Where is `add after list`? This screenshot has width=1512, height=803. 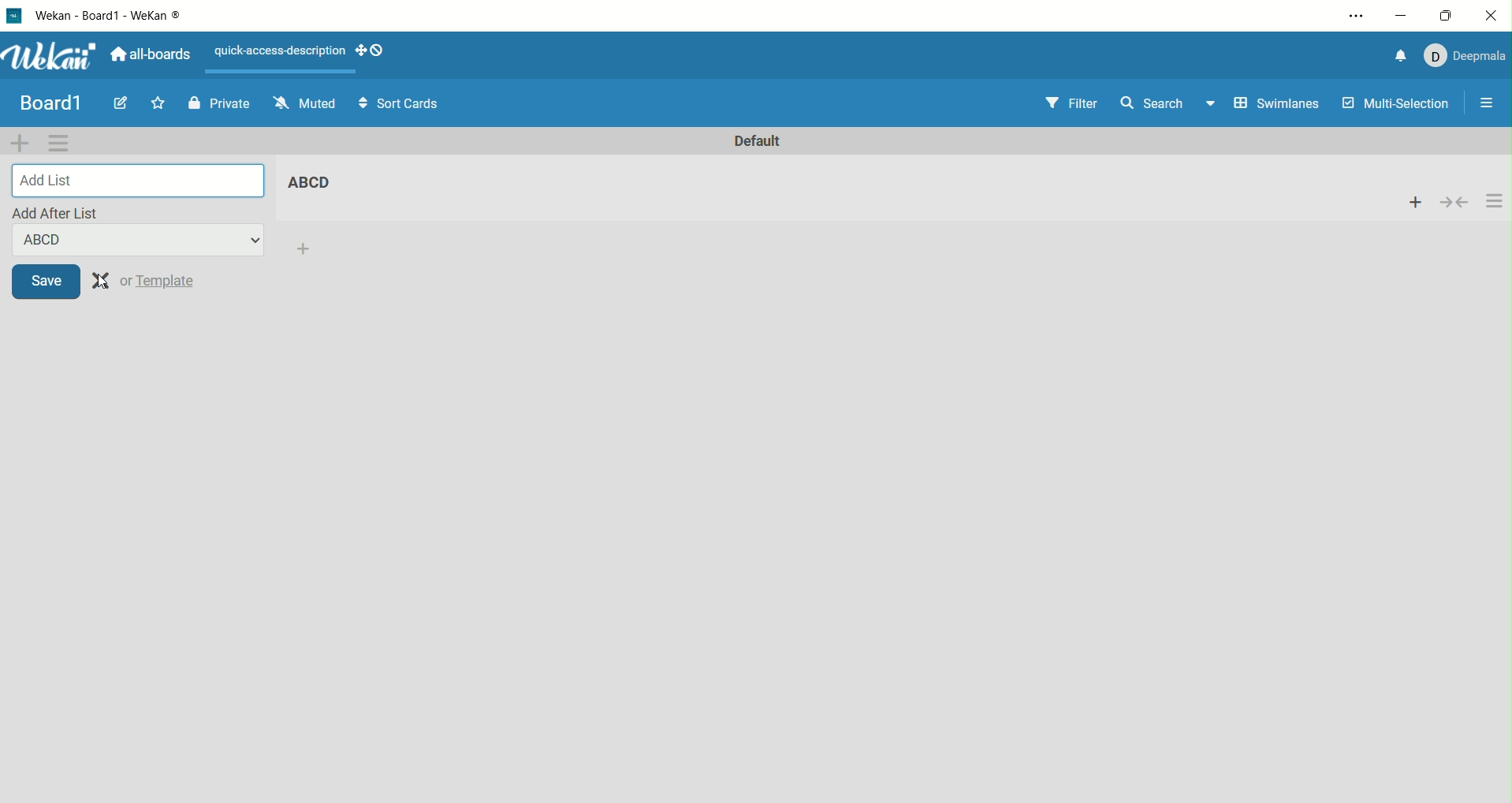 add after list is located at coordinates (58, 214).